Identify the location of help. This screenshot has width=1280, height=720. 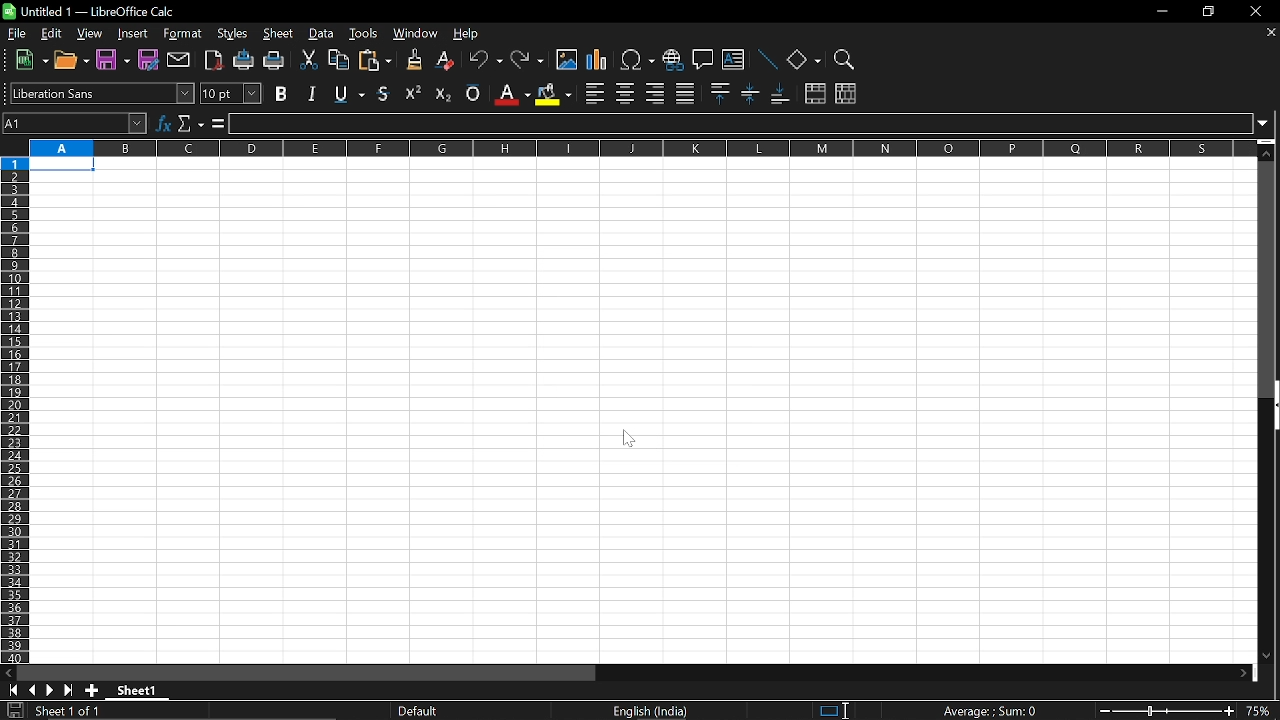
(468, 36).